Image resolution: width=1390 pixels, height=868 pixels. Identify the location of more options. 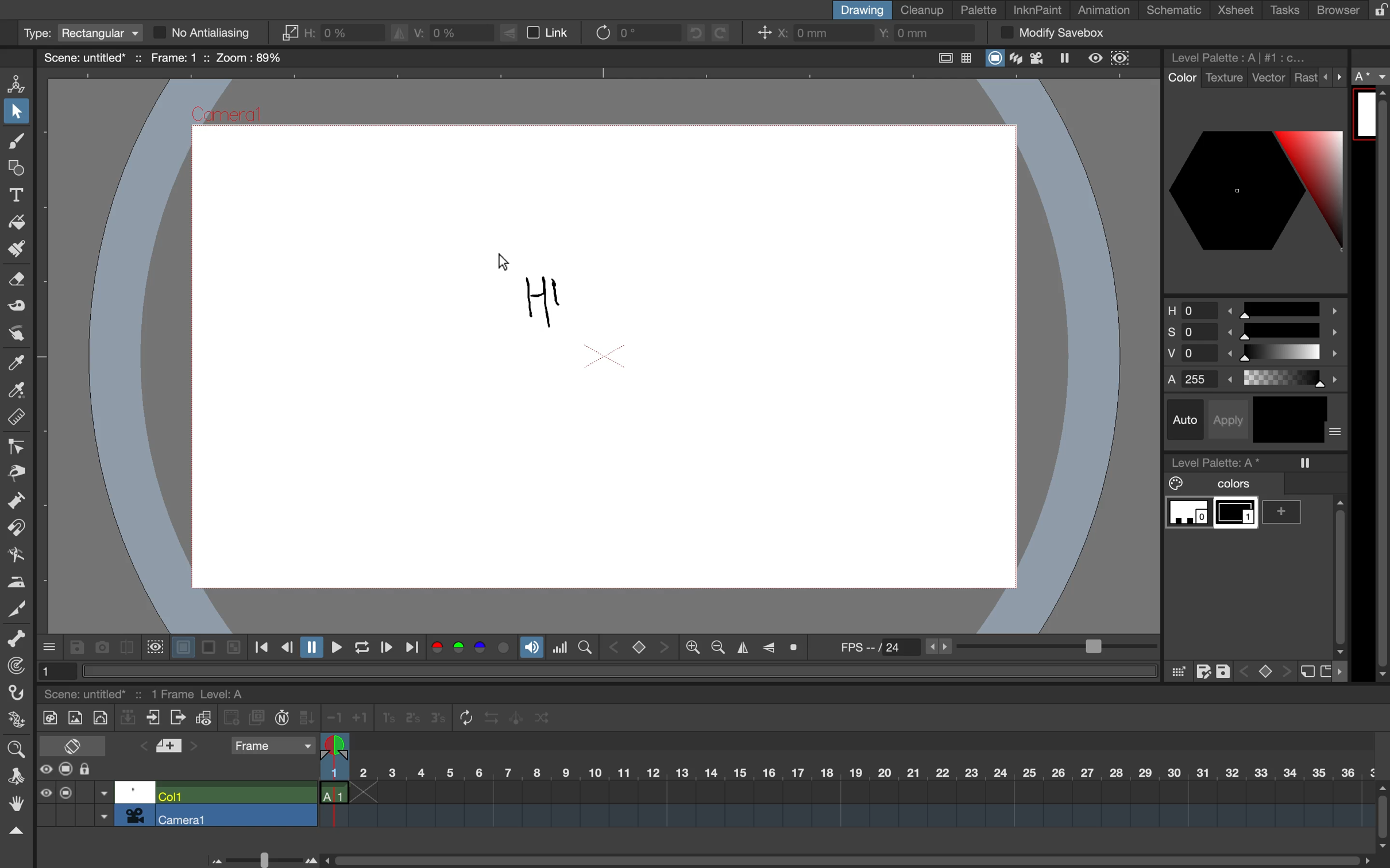
(1334, 76).